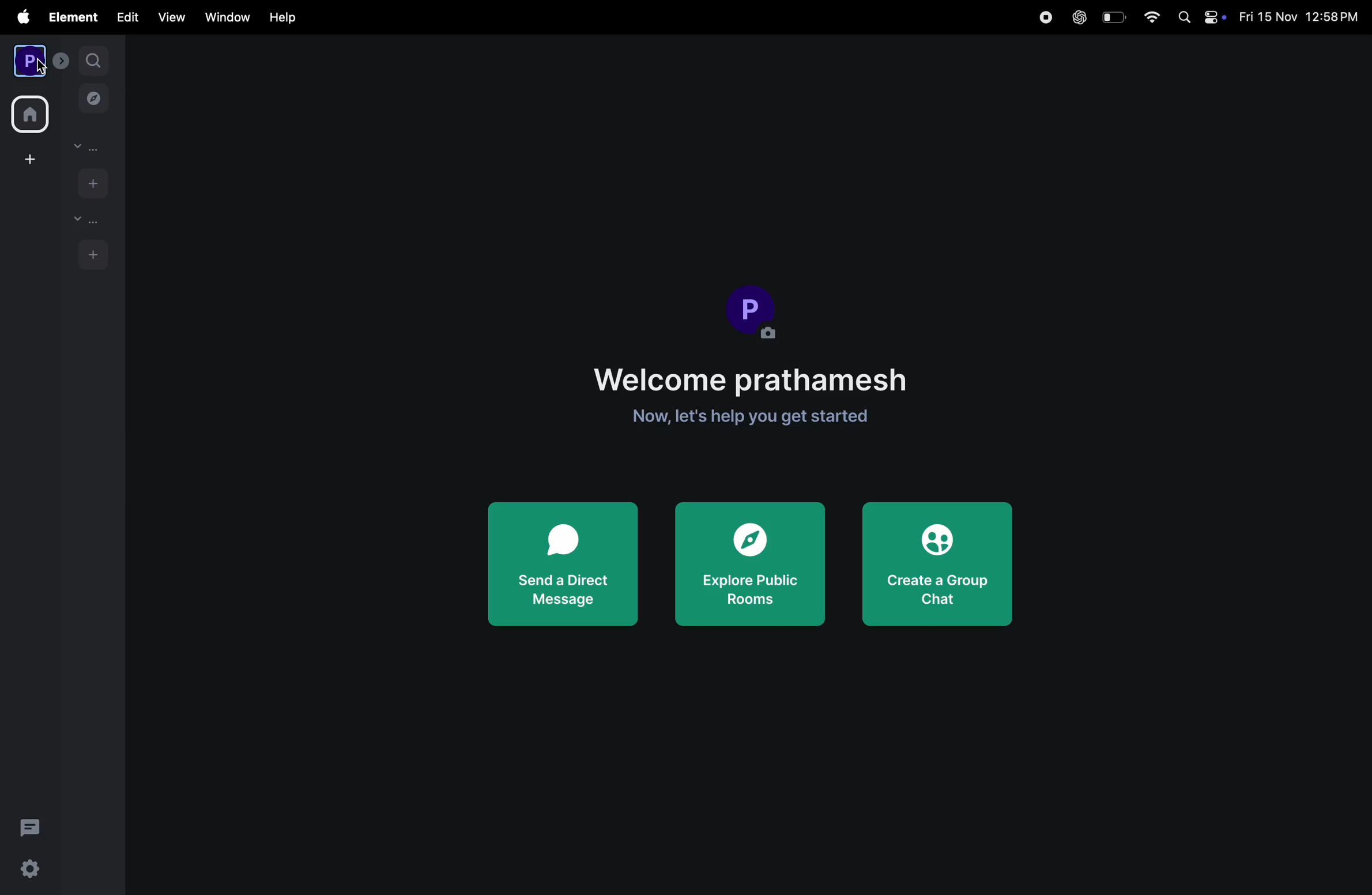  I want to click on explore rooms, so click(750, 564).